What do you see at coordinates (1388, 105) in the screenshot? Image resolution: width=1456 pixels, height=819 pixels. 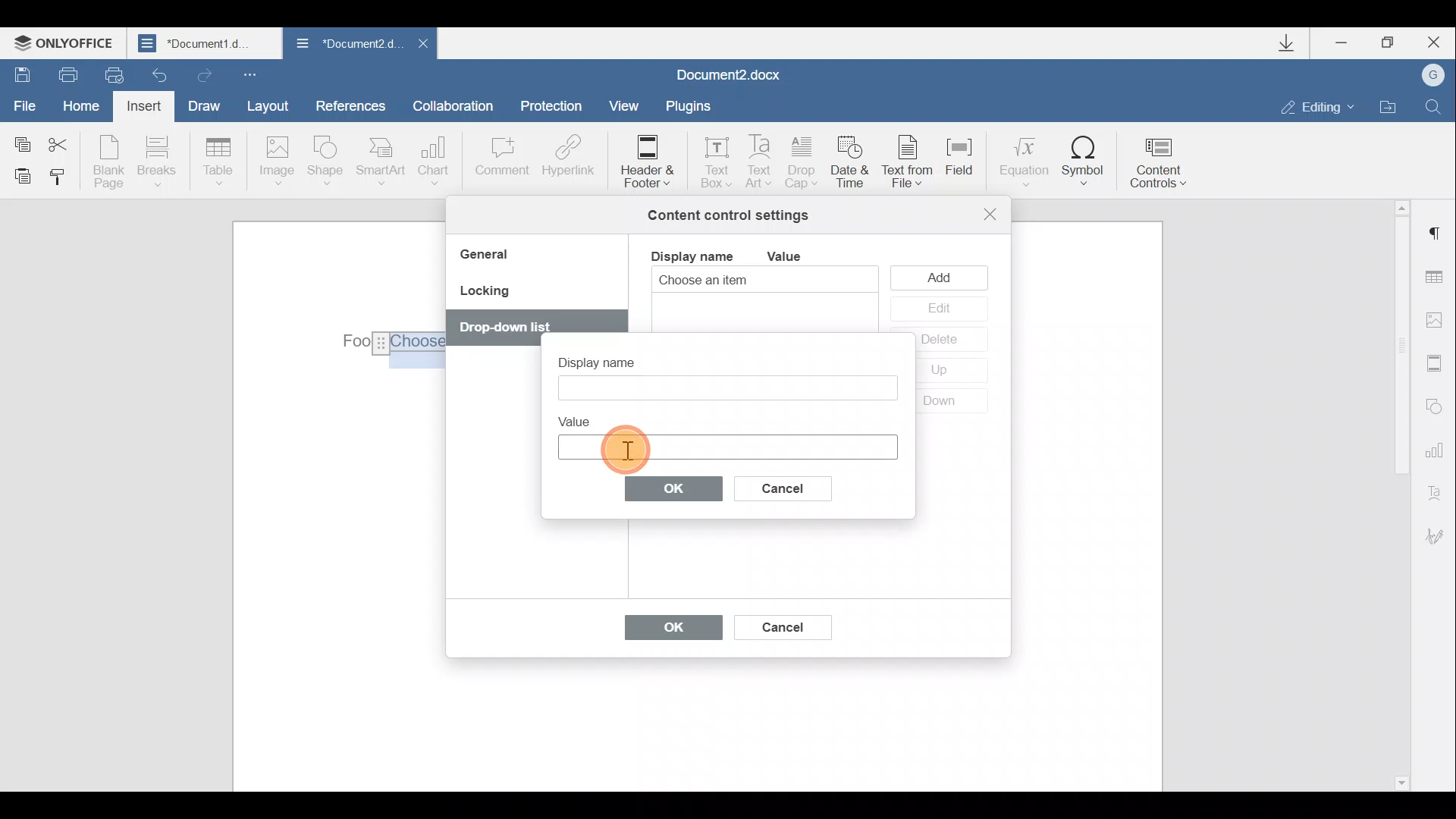 I see `Open file location` at bounding box center [1388, 105].